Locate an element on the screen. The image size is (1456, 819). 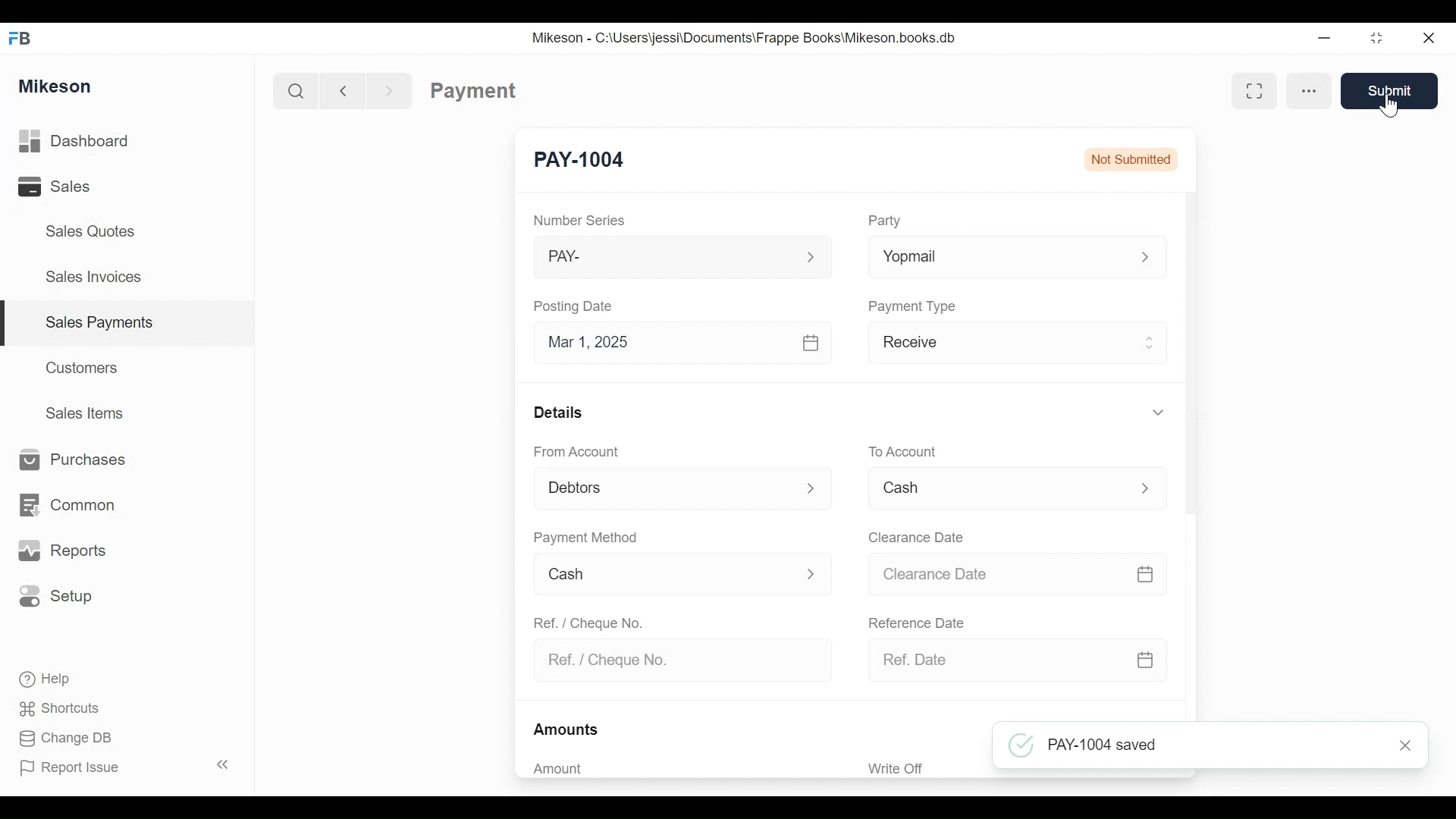
Shortcuts is located at coordinates (66, 704).